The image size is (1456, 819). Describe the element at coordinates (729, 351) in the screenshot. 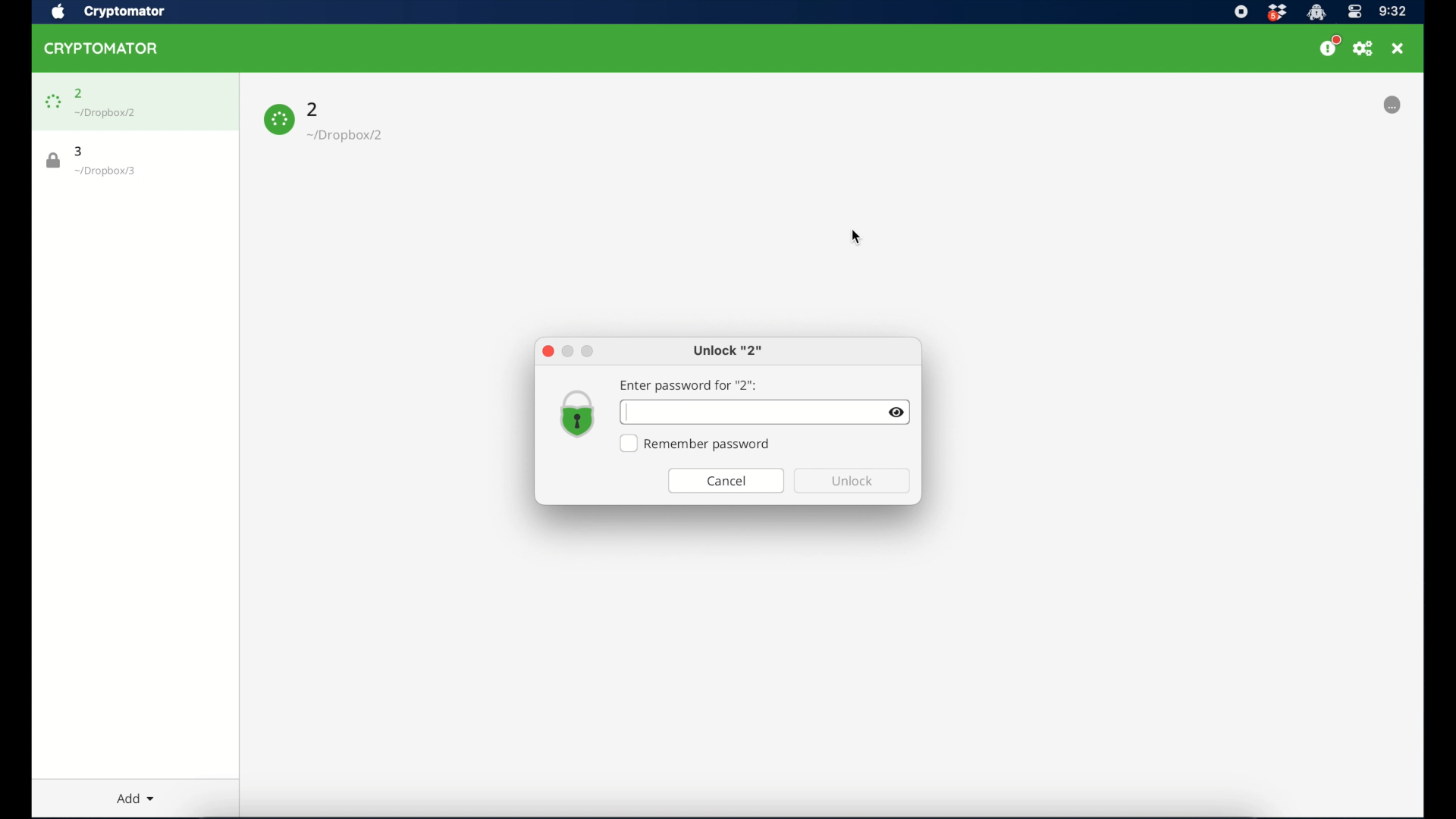

I see `unlock 2` at that location.